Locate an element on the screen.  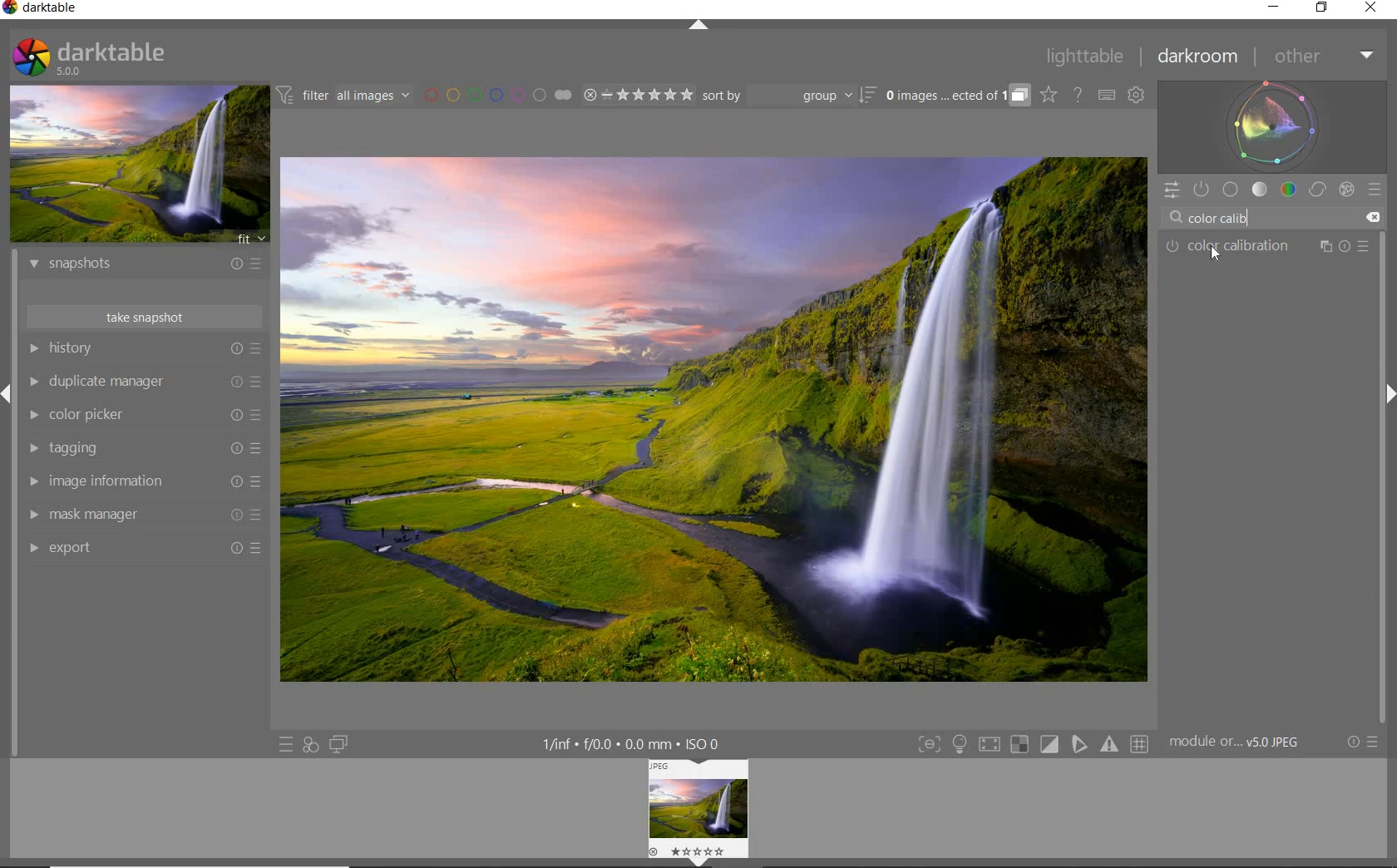
cursor is located at coordinates (1218, 253).